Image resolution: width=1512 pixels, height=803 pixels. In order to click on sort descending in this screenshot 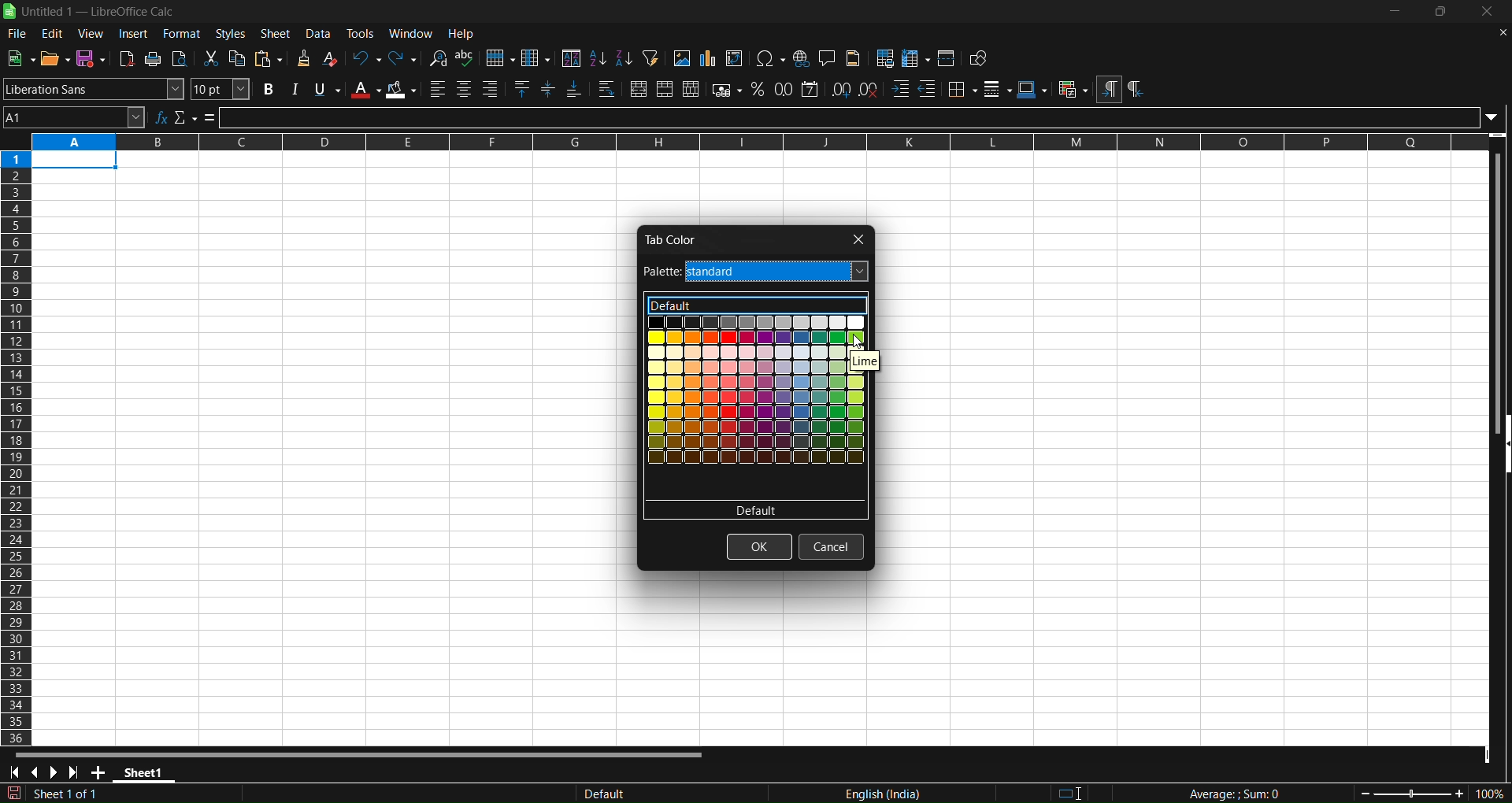, I will do `click(624, 60)`.